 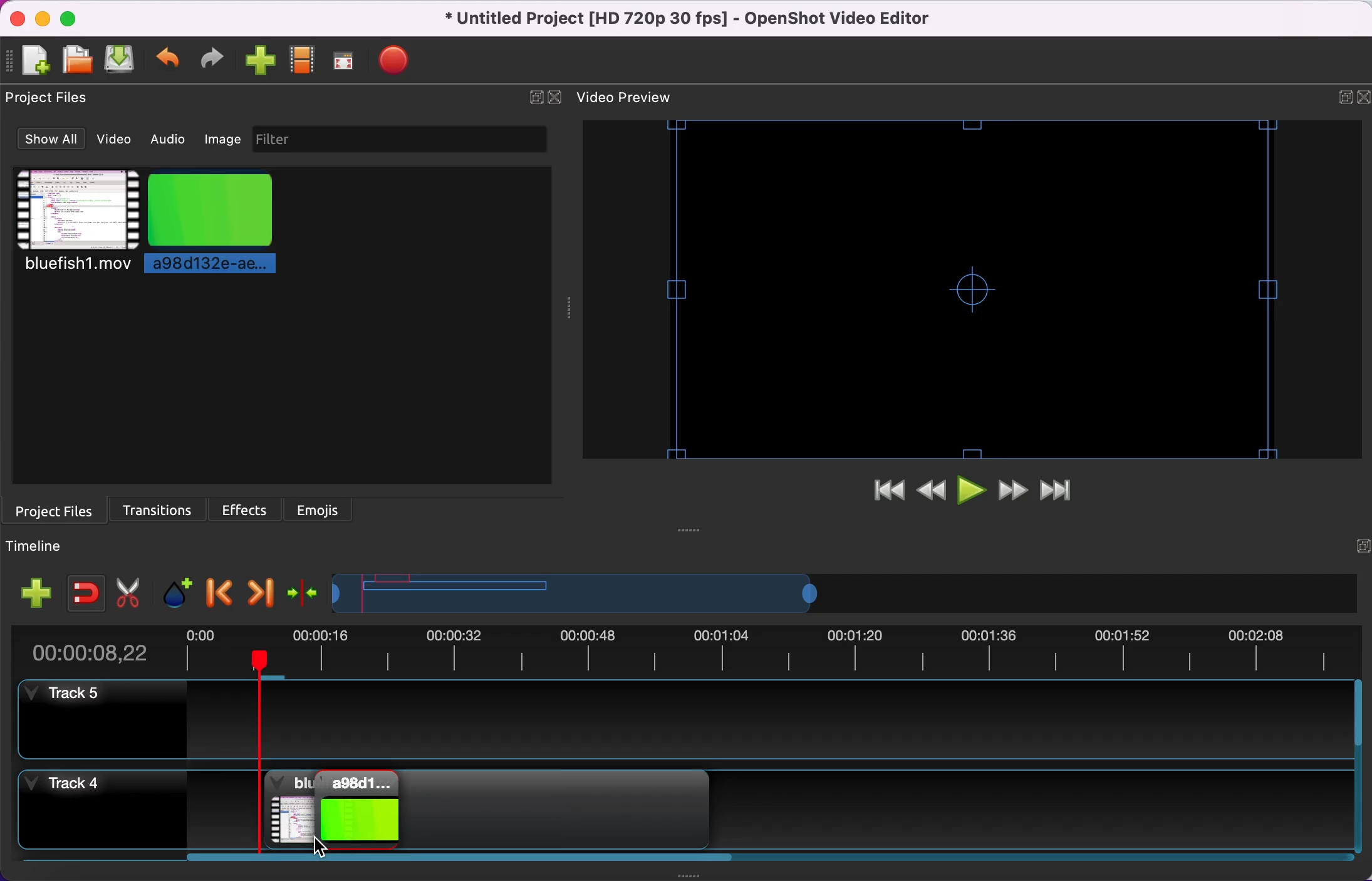 I want to click on audio, so click(x=167, y=140).